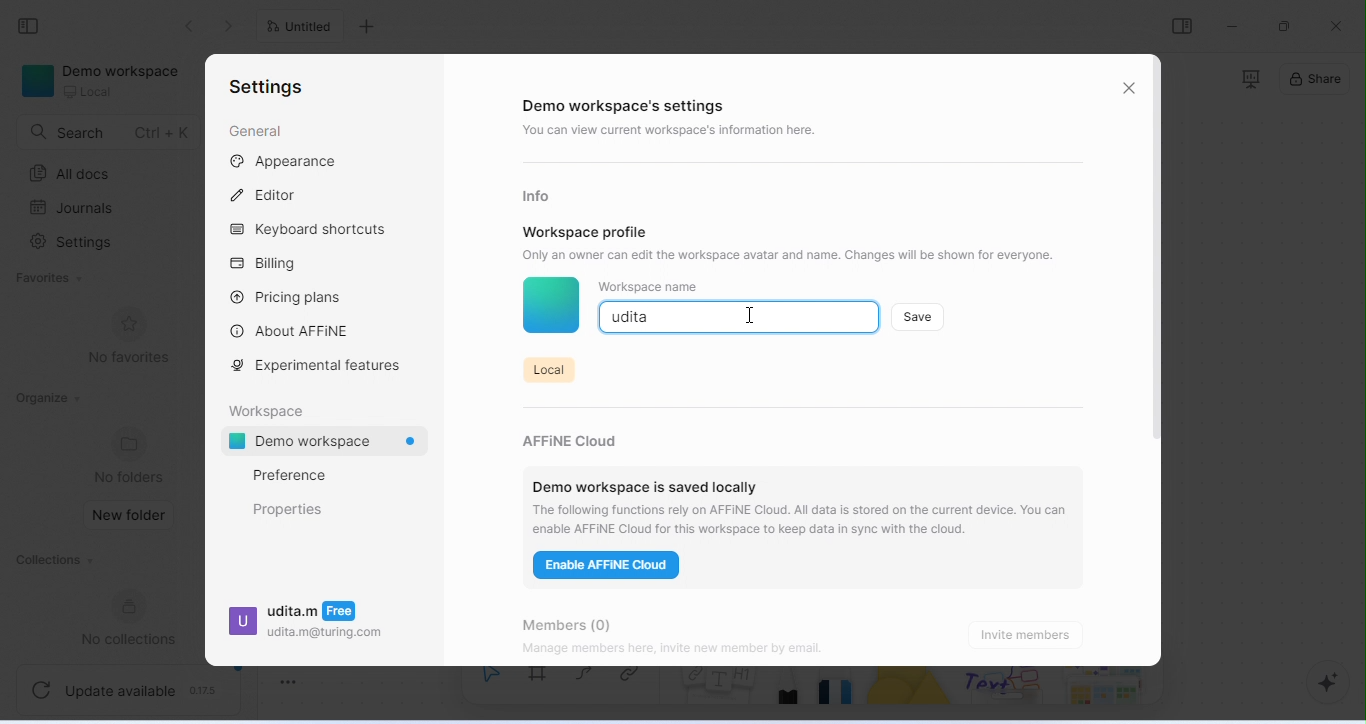  Describe the element at coordinates (232, 26) in the screenshot. I see `go previous` at that location.